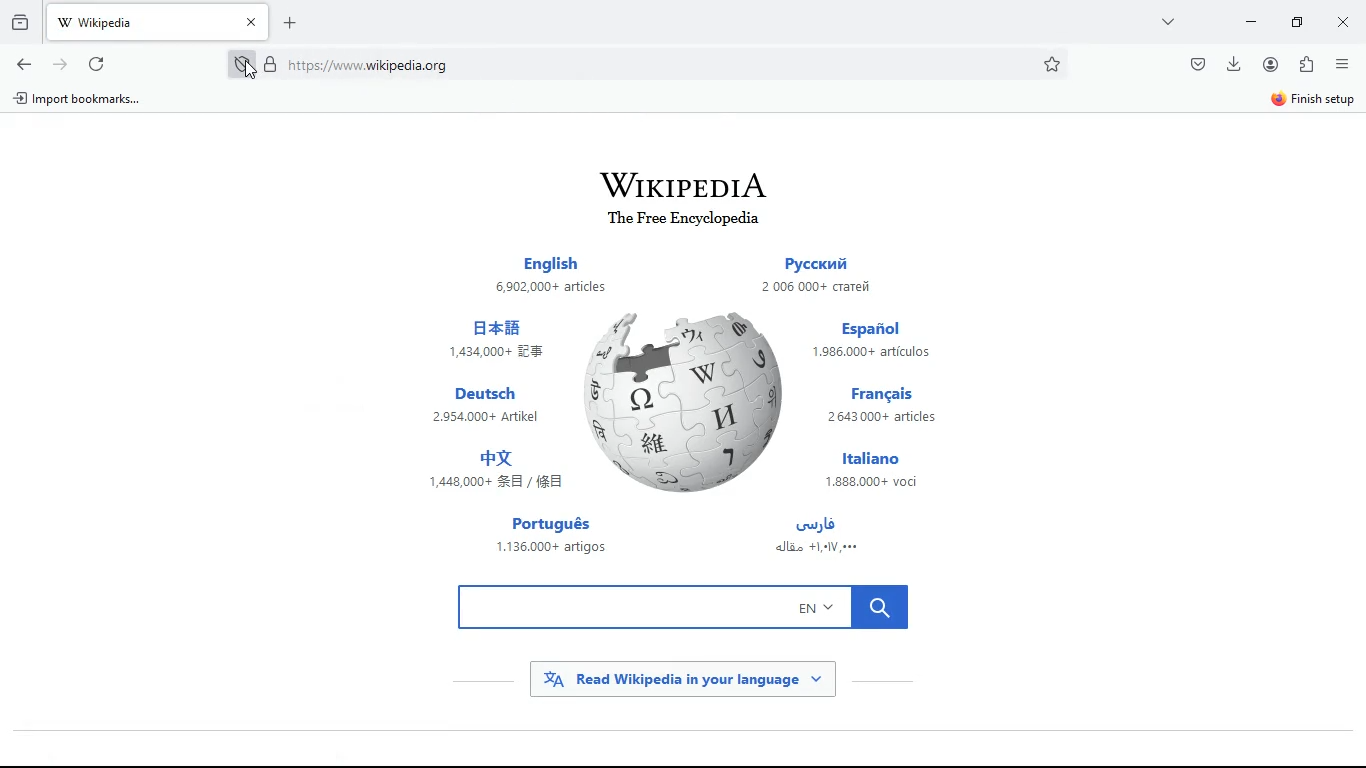 Image resolution: width=1366 pixels, height=768 pixels. Describe the element at coordinates (1342, 64) in the screenshot. I see `menu` at that location.